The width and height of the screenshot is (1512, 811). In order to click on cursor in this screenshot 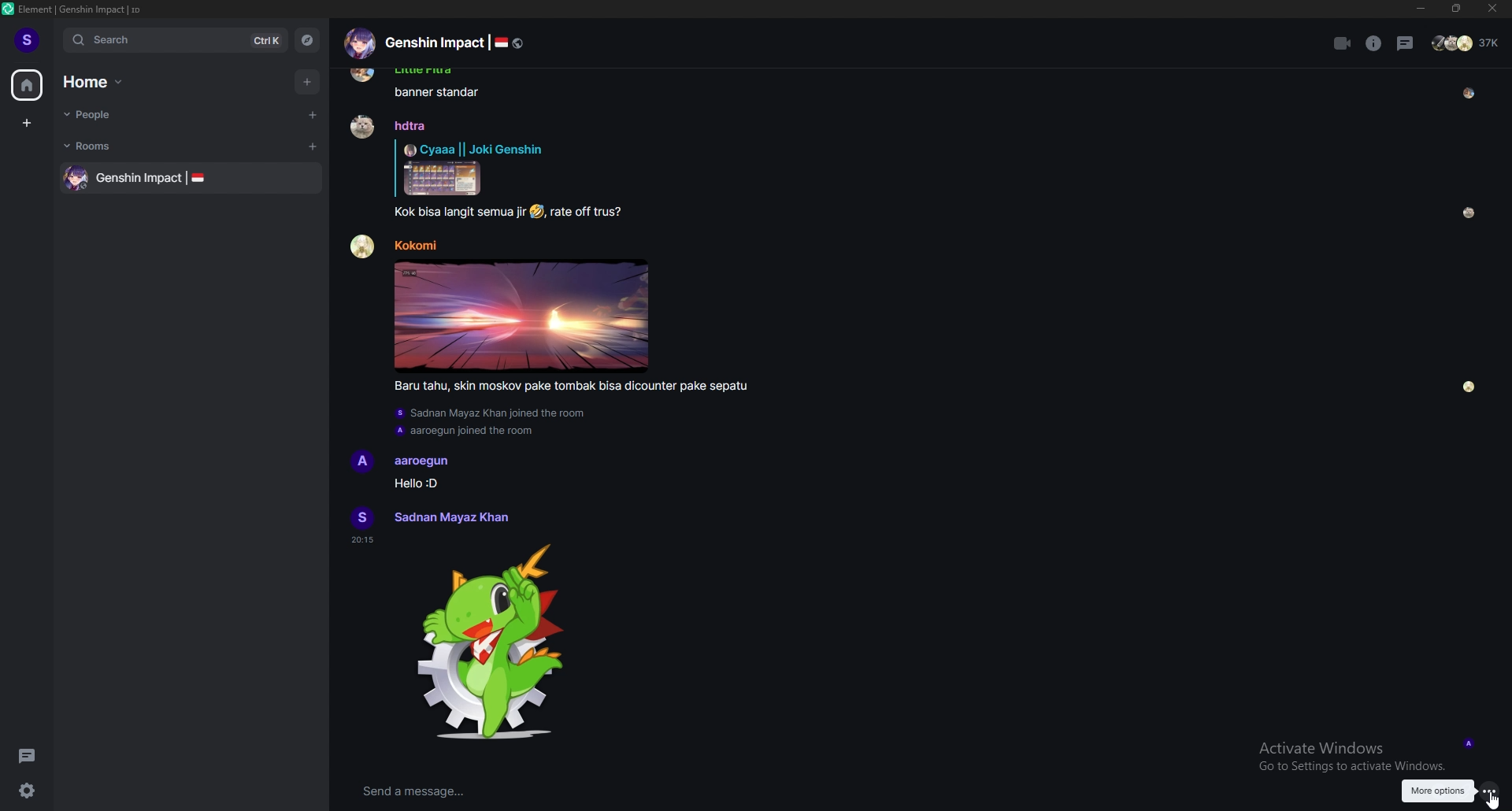, I will do `click(1493, 801)`.